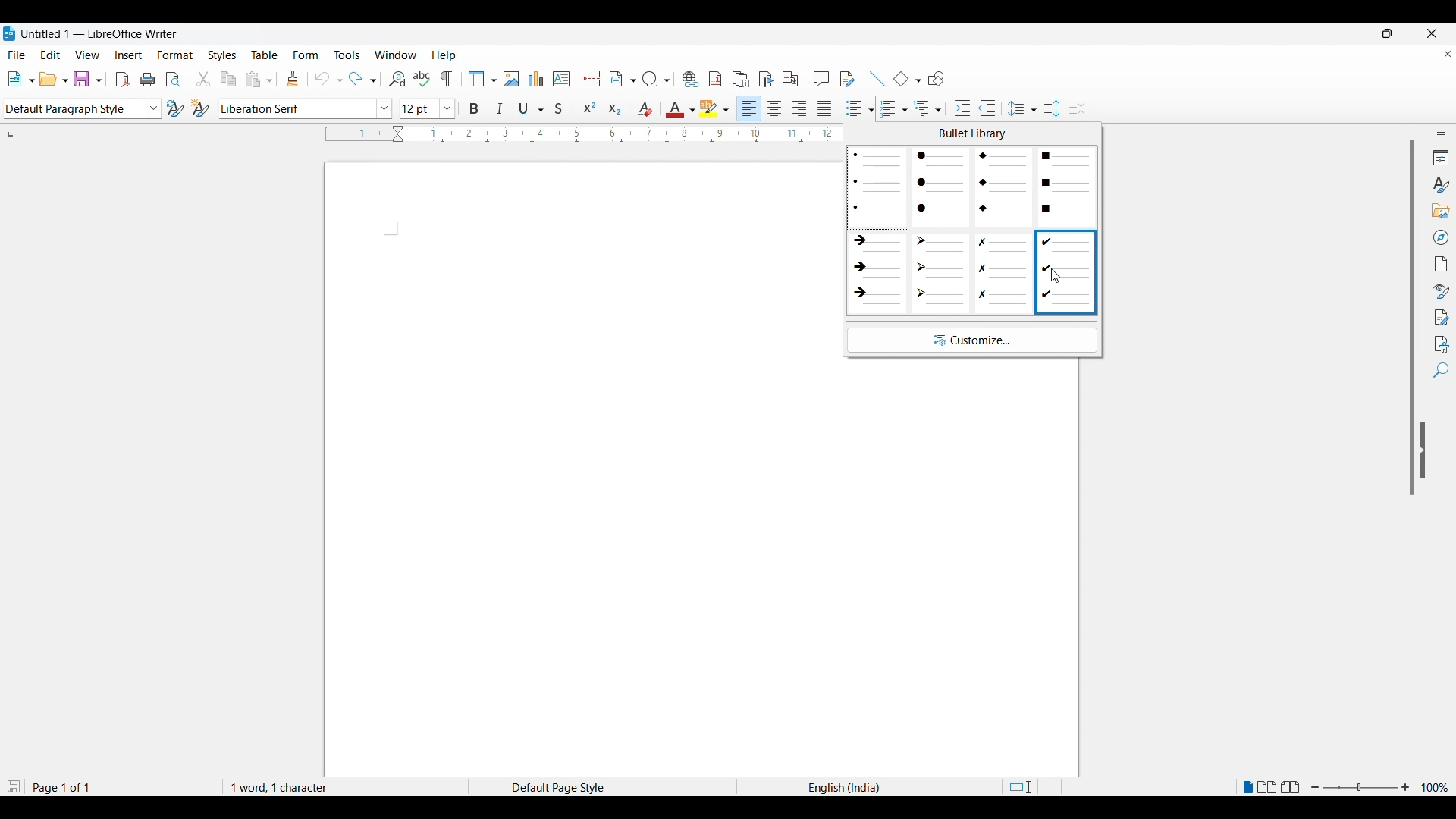  I want to click on show drawing function, so click(938, 79).